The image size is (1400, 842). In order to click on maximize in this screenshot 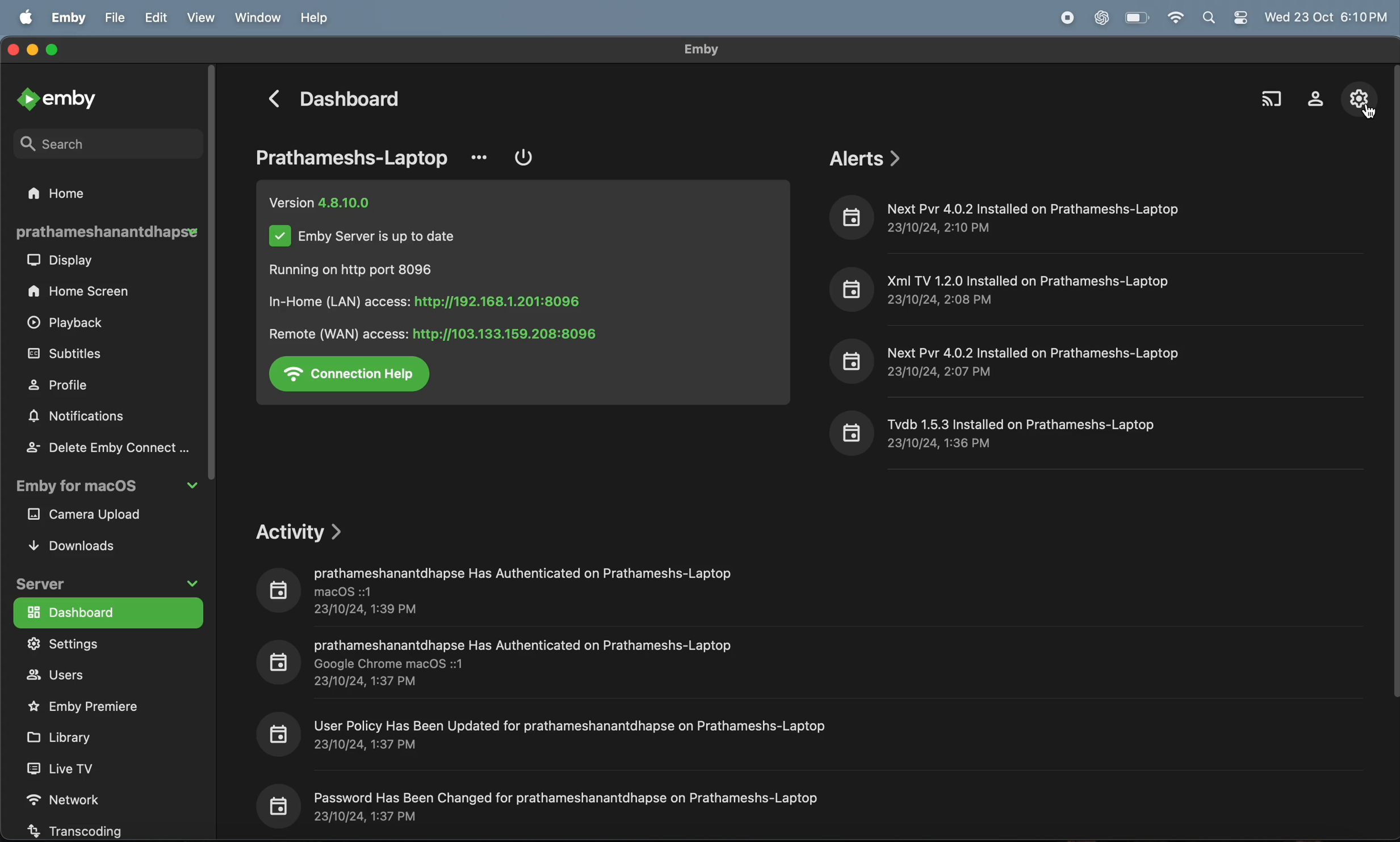, I will do `click(56, 49)`.